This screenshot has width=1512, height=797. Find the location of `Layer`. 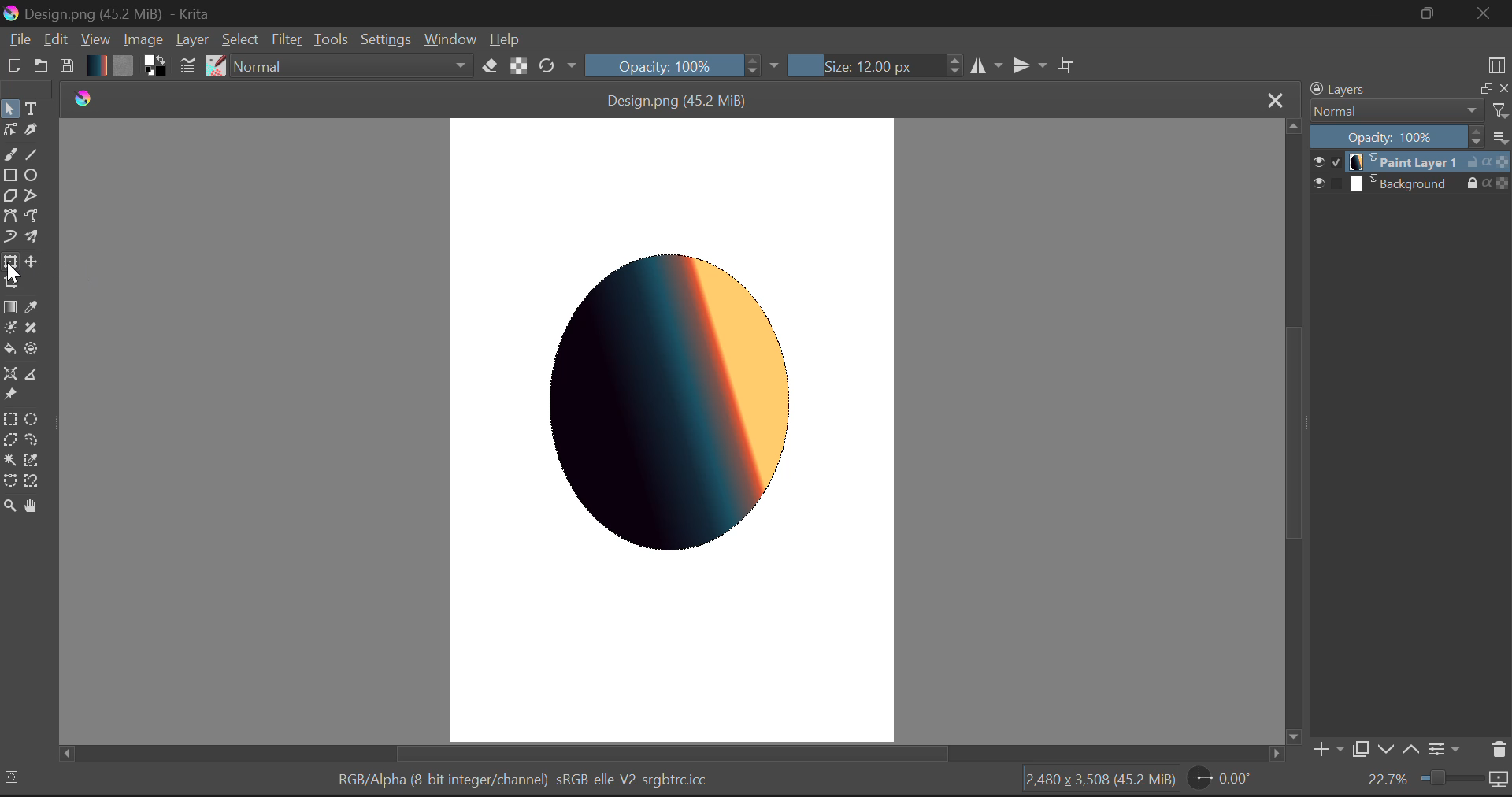

Layer is located at coordinates (192, 41).